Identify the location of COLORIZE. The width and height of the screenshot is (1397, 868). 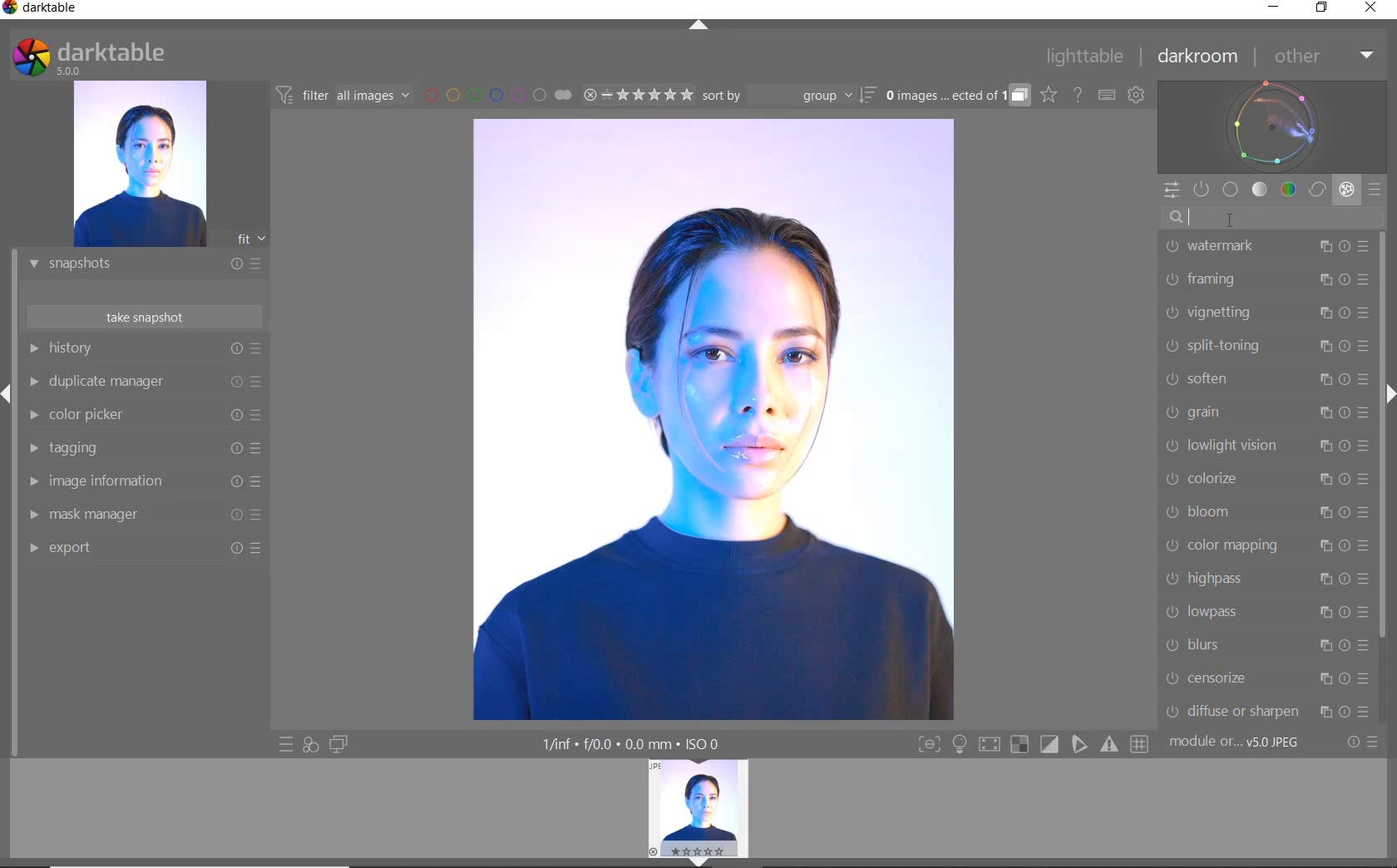
(1266, 479).